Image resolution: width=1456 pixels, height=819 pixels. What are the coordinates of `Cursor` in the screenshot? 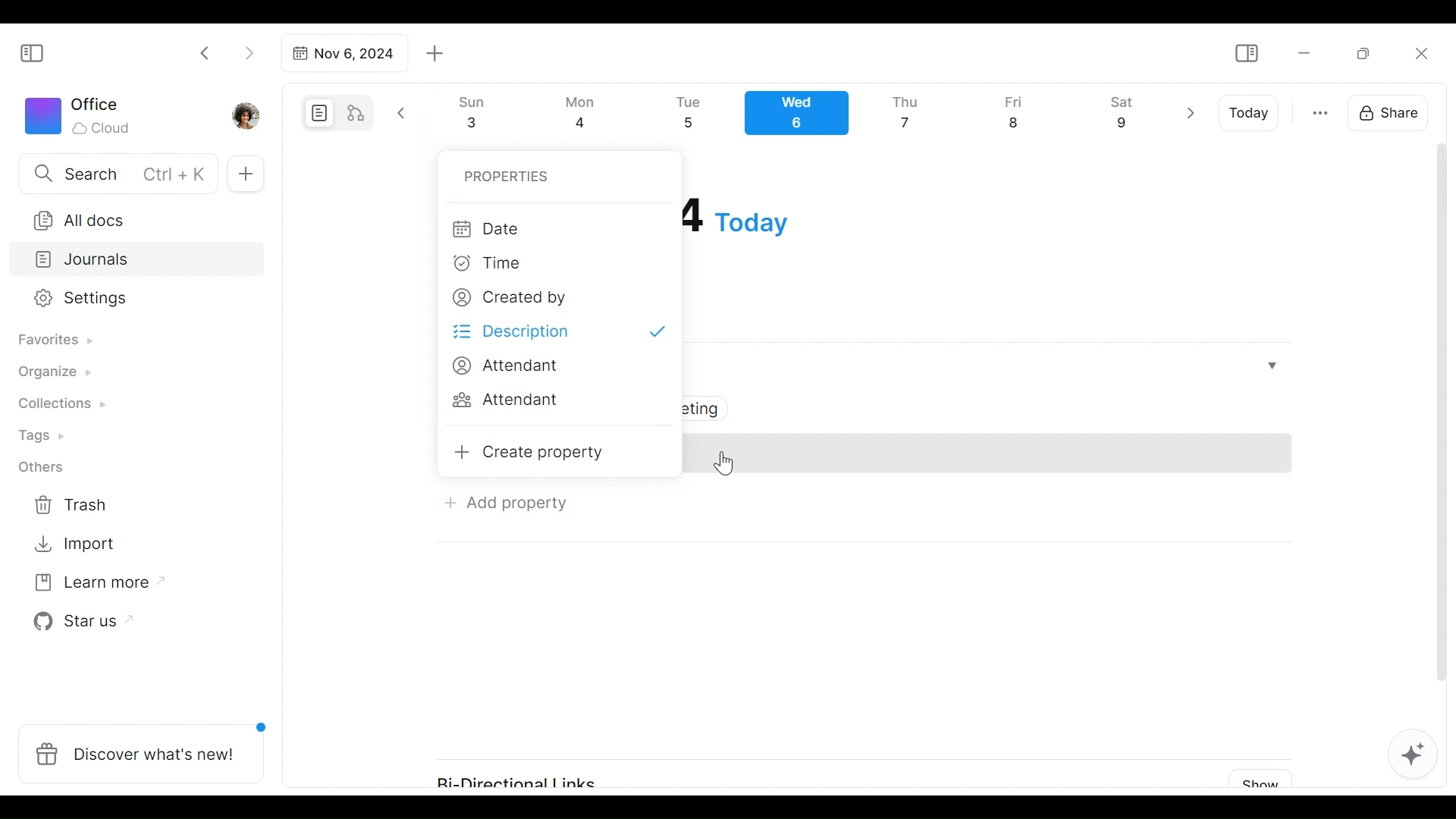 It's located at (724, 463).